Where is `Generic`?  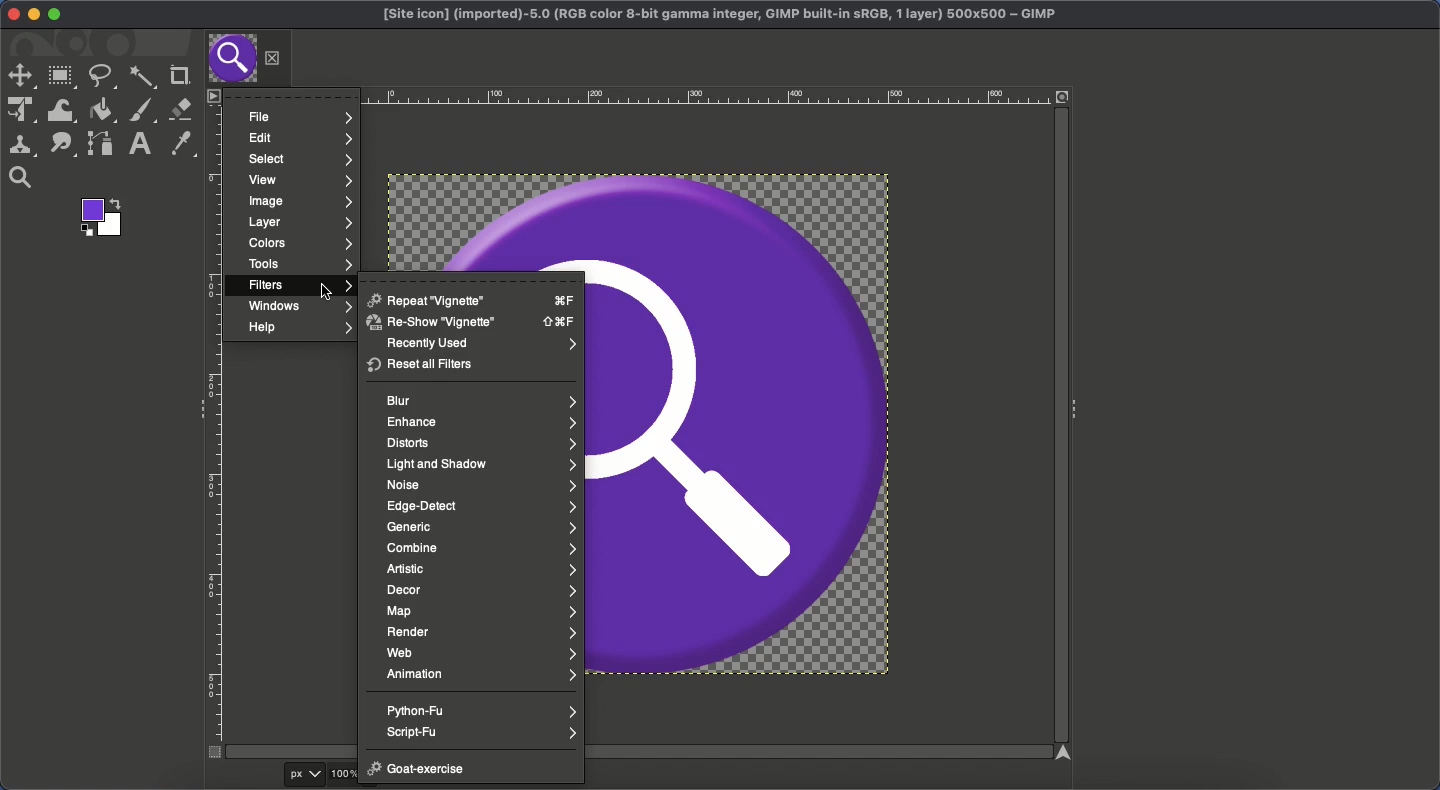
Generic is located at coordinates (480, 529).